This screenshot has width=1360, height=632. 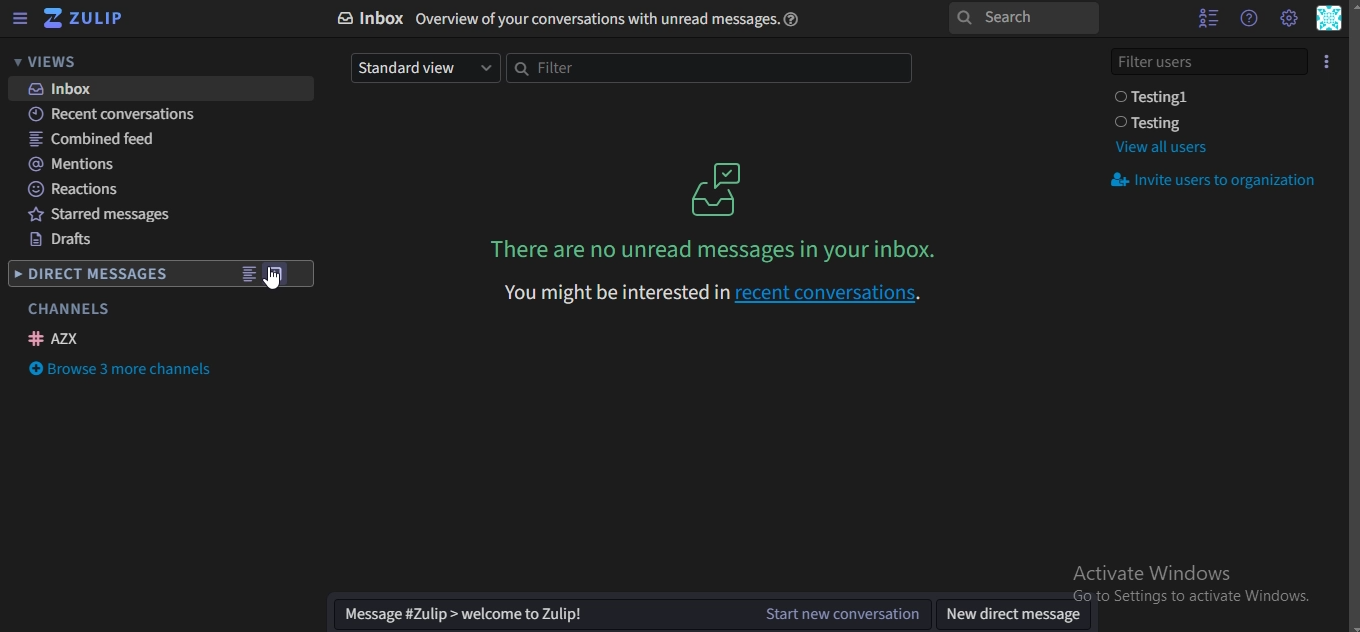 What do you see at coordinates (124, 371) in the screenshot?
I see `browse 3 more channels` at bounding box center [124, 371].